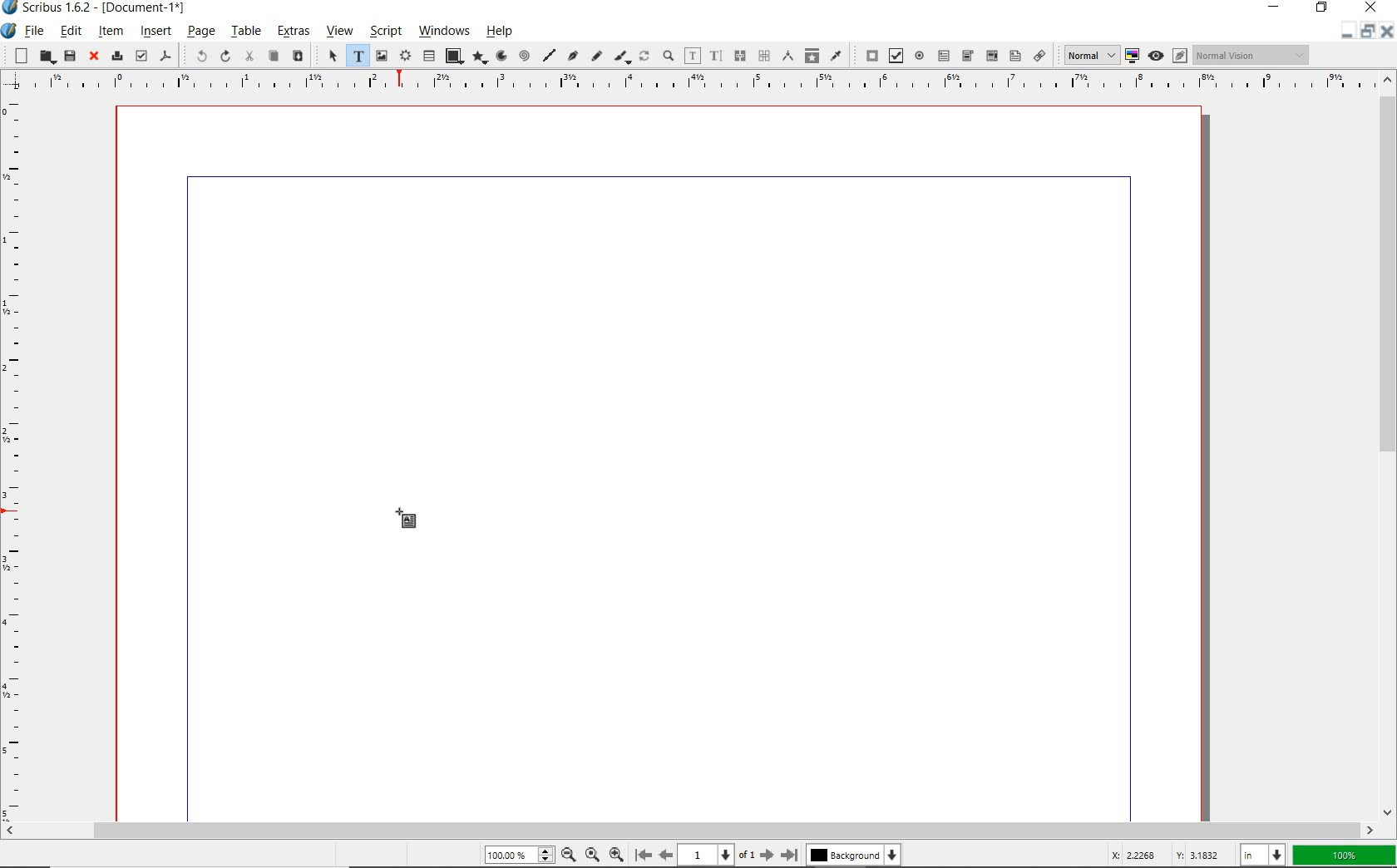  I want to click on pdf text field, so click(943, 55).